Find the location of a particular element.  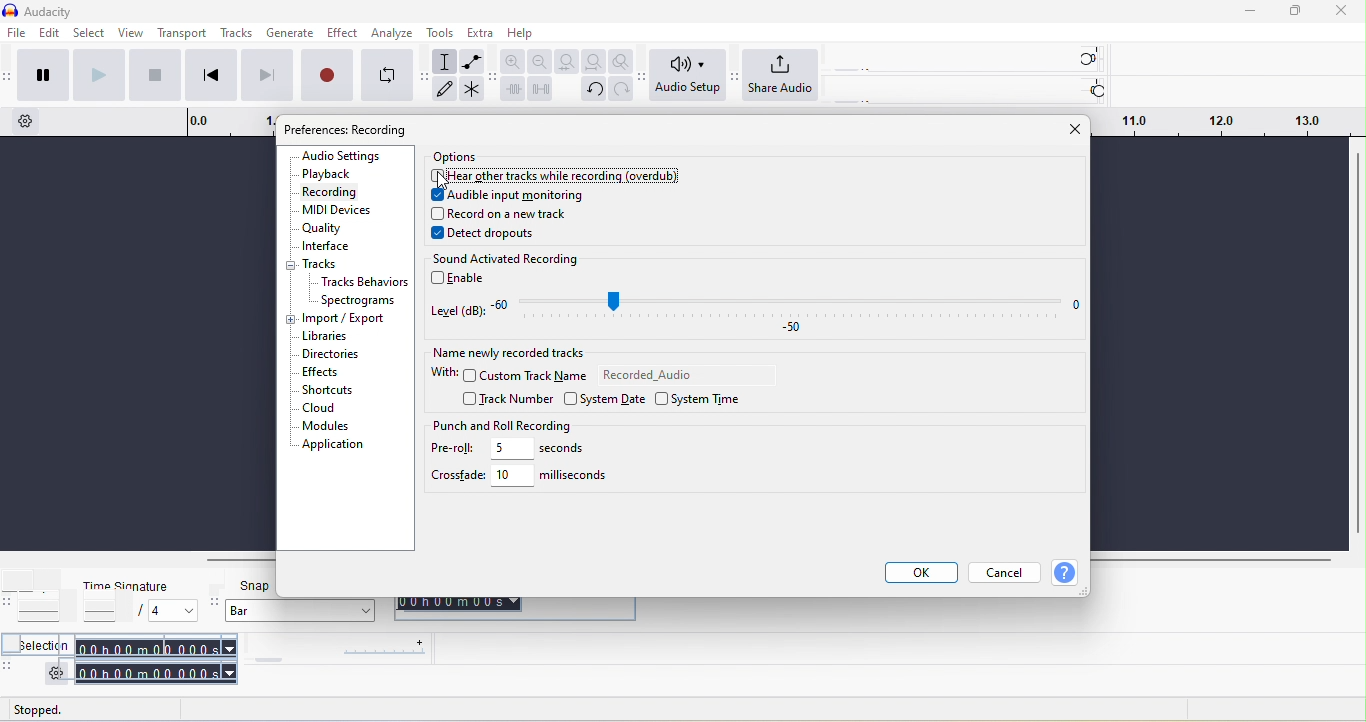

audacity tools toolbar is located at coordinates (424, 76).